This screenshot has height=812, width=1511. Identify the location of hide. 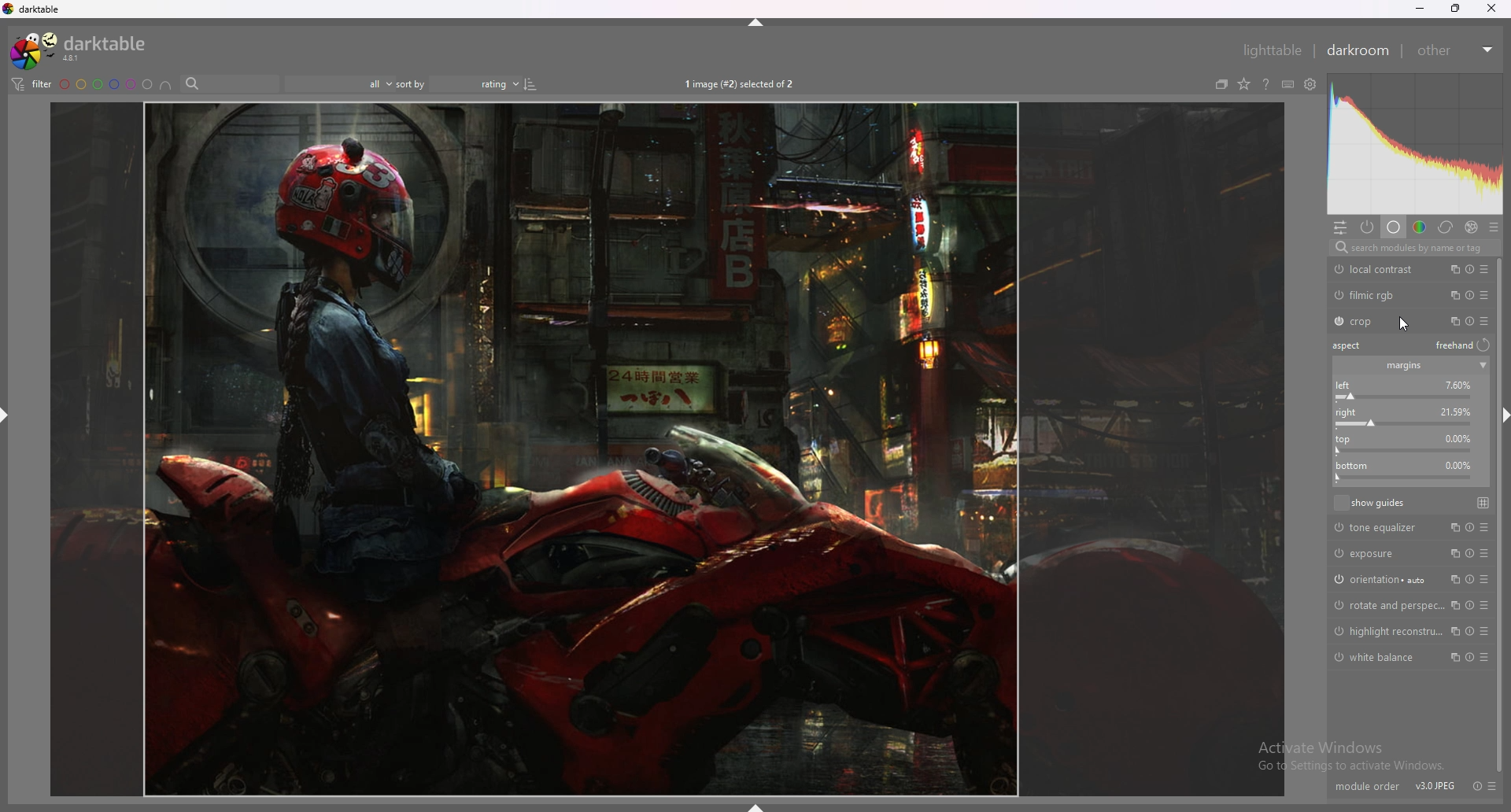
(752, 23).